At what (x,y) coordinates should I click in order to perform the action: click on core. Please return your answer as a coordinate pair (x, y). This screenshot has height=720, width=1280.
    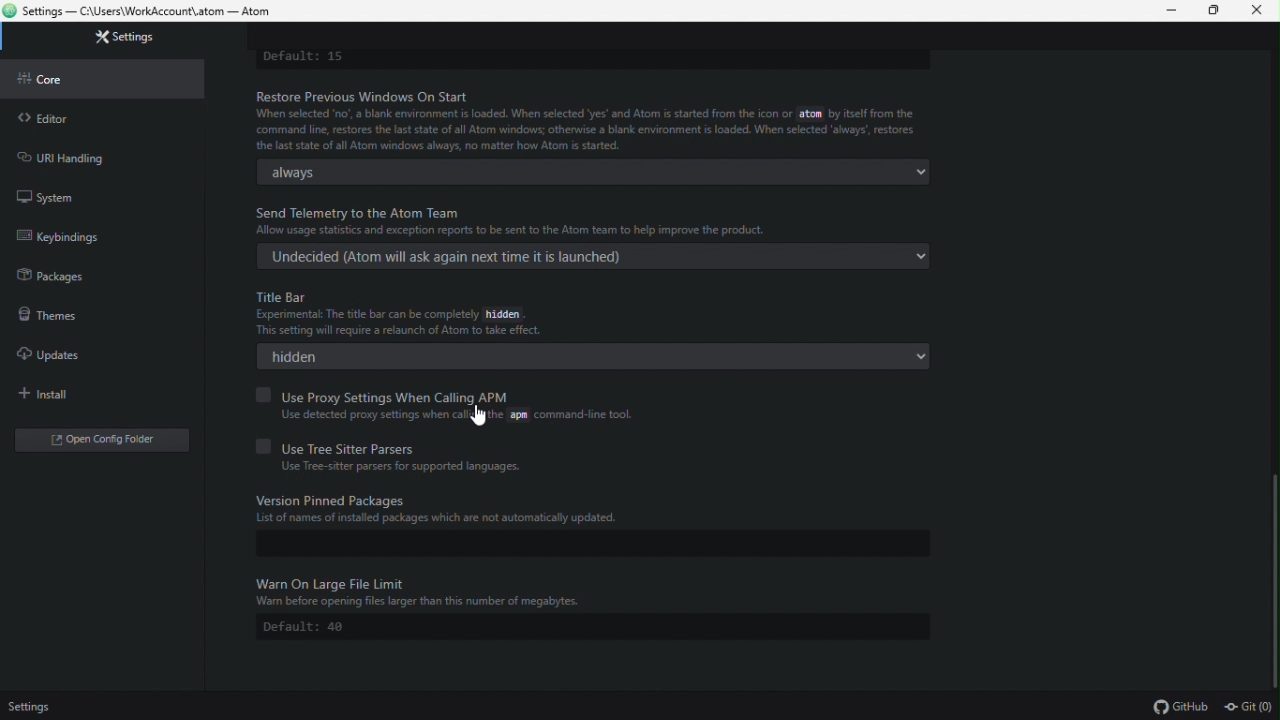
    Looking at the image, I should click on (104, 76).